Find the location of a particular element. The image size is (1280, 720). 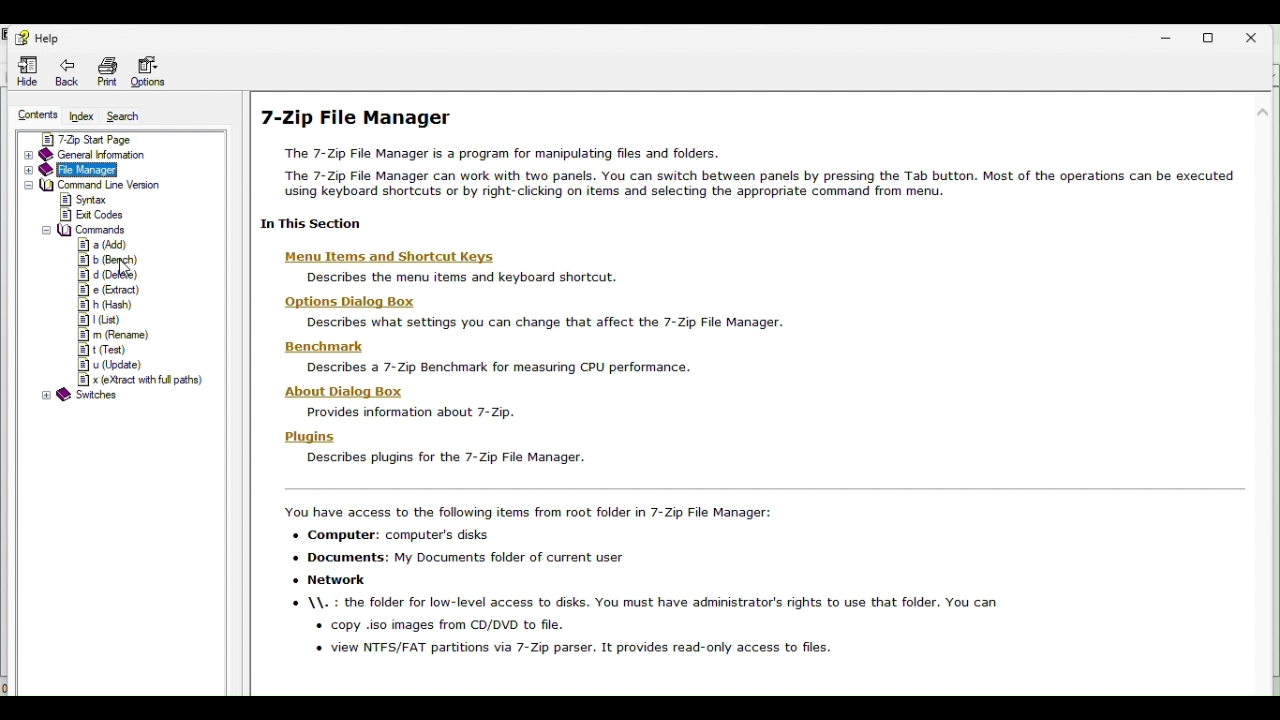

Provides information about 7-Zip. is located at coordinates (414, 414).